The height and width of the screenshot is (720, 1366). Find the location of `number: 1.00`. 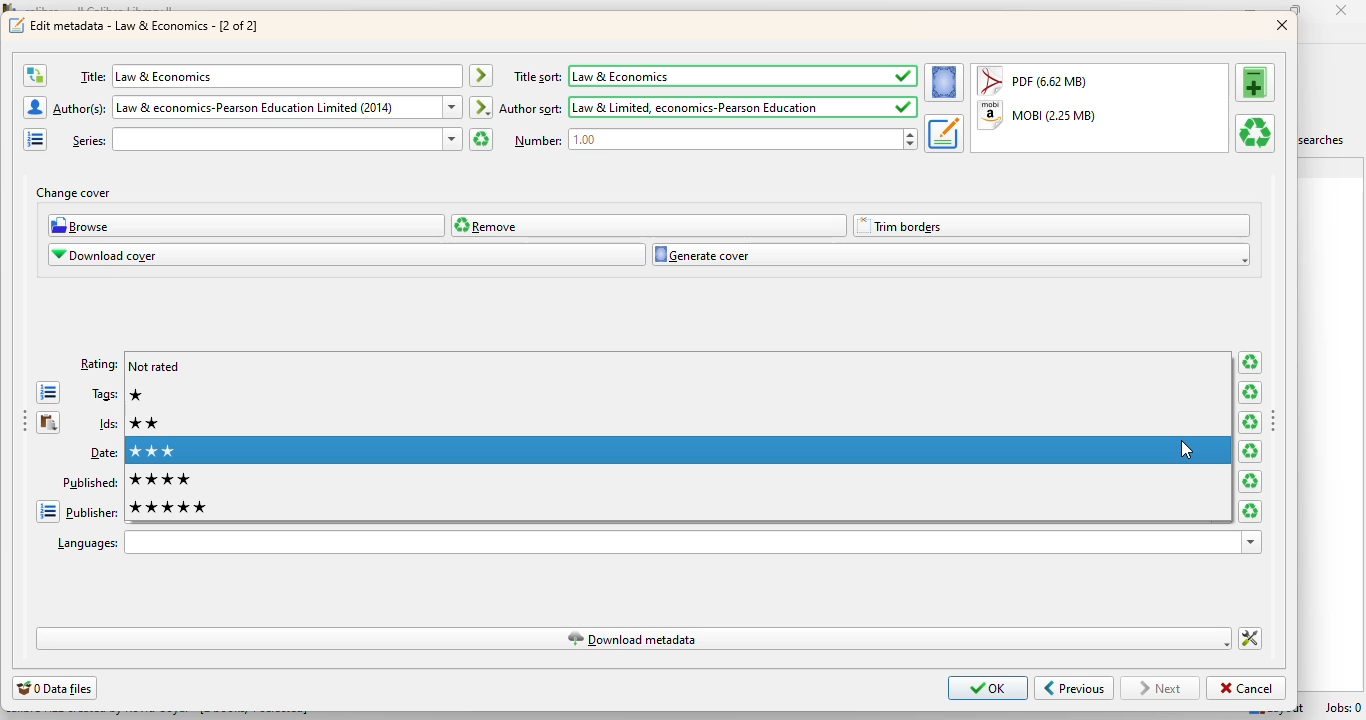

number: 1.00 is located at coordinates (713, 140).